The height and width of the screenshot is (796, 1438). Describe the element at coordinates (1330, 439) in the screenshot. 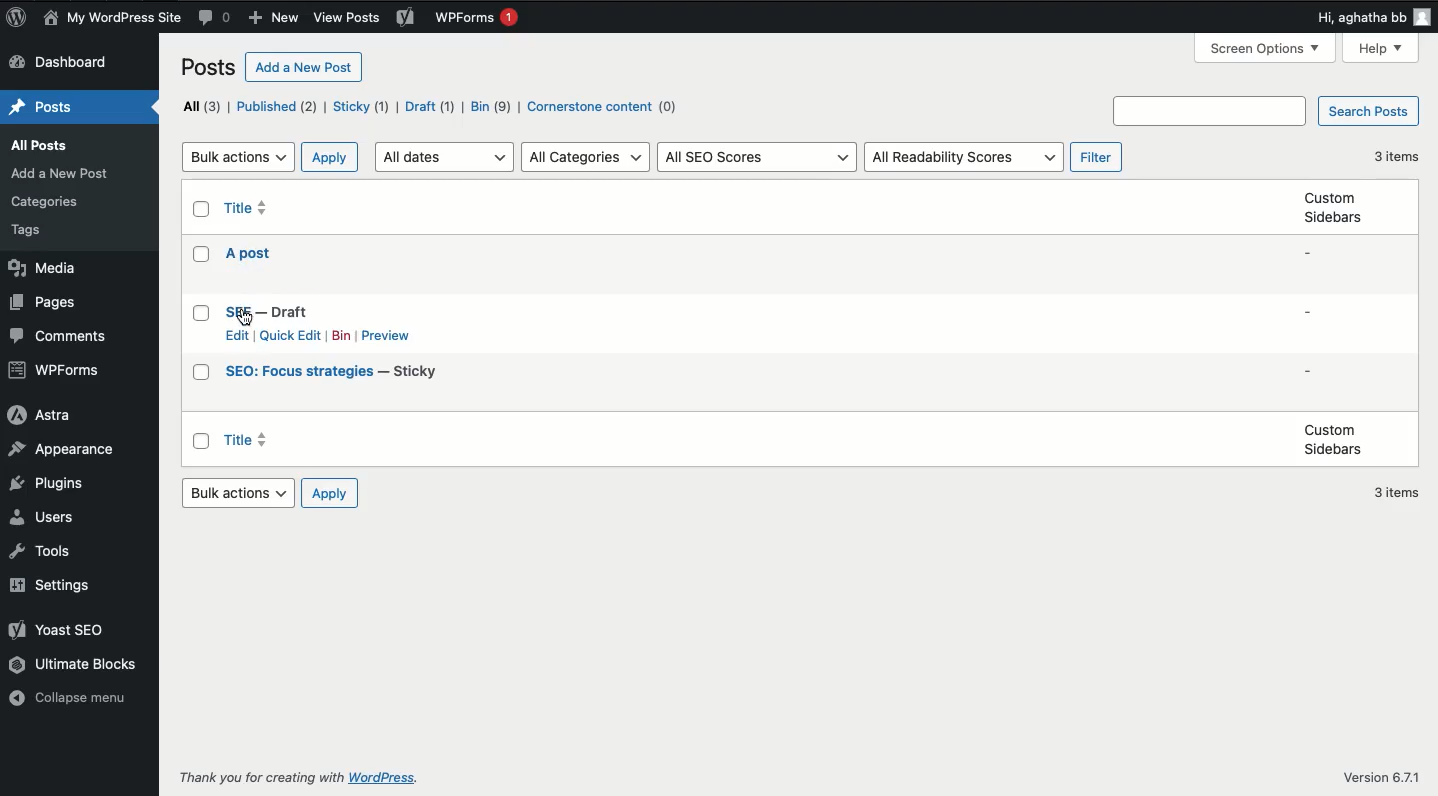

I see `Custom sidebars ` at that location.